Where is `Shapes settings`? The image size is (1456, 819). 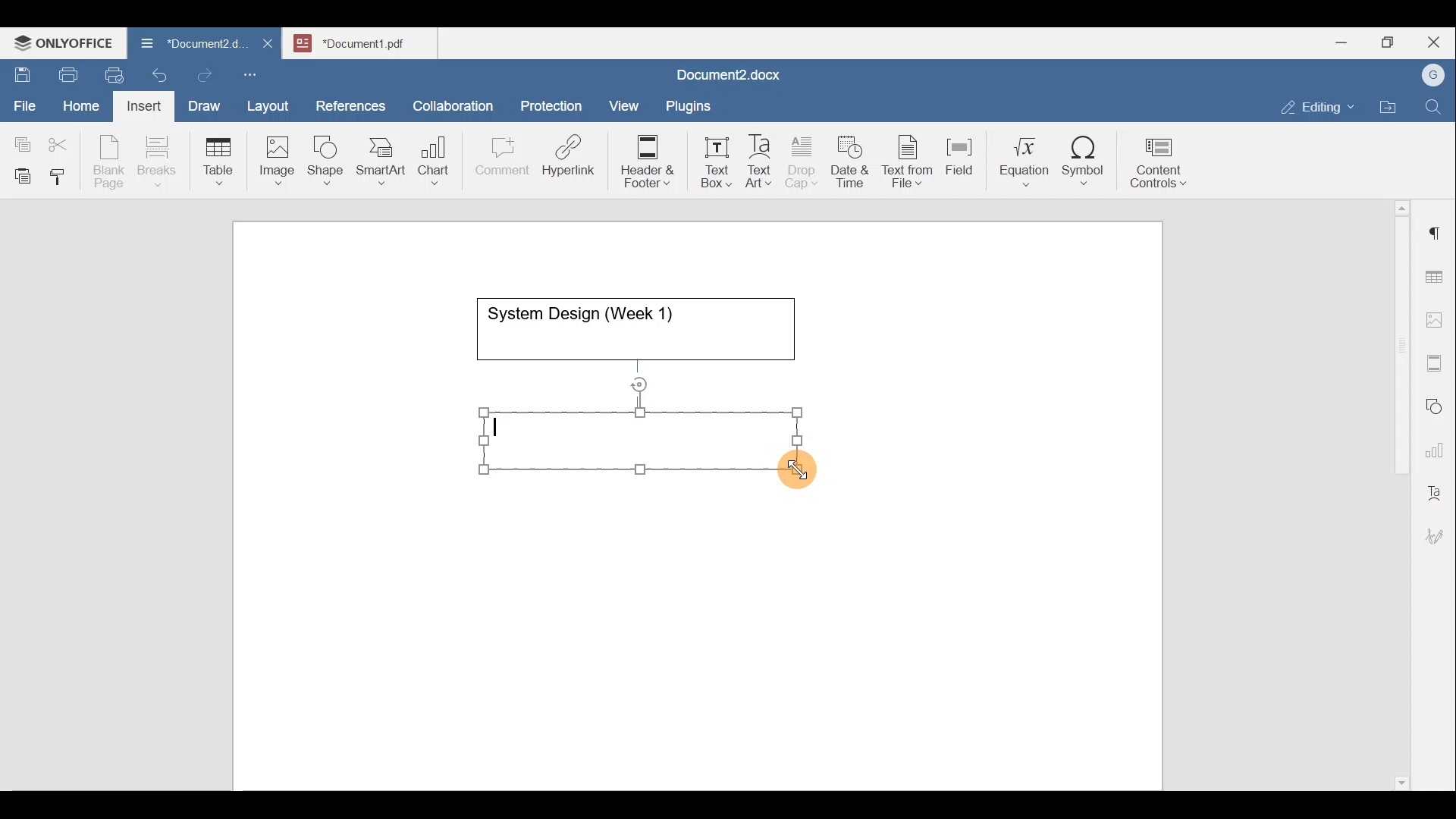
Shapes settings is located at coordinates (1437, 404).